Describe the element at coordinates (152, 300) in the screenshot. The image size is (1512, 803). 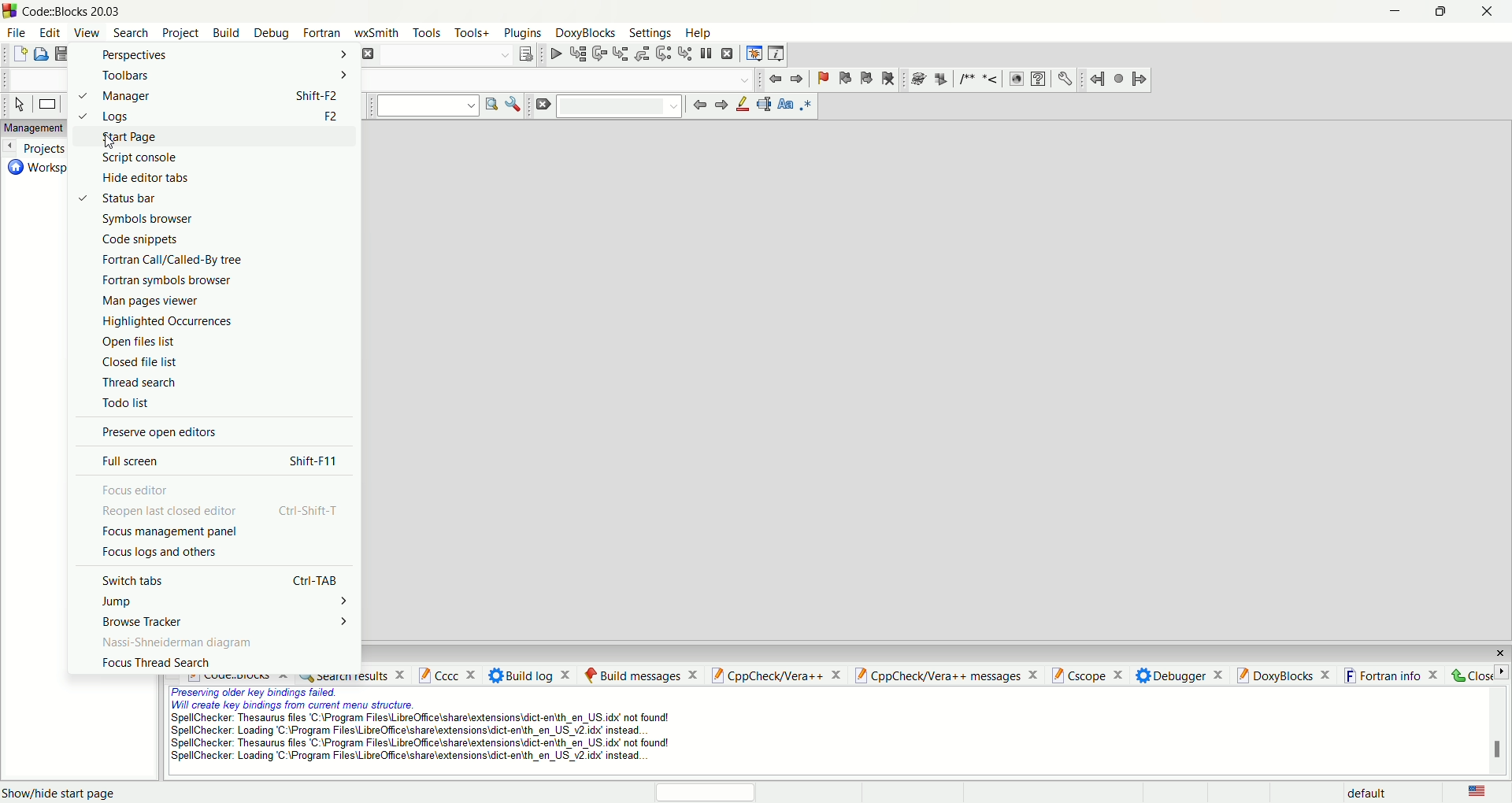
I see `man pages viewer` at that location.